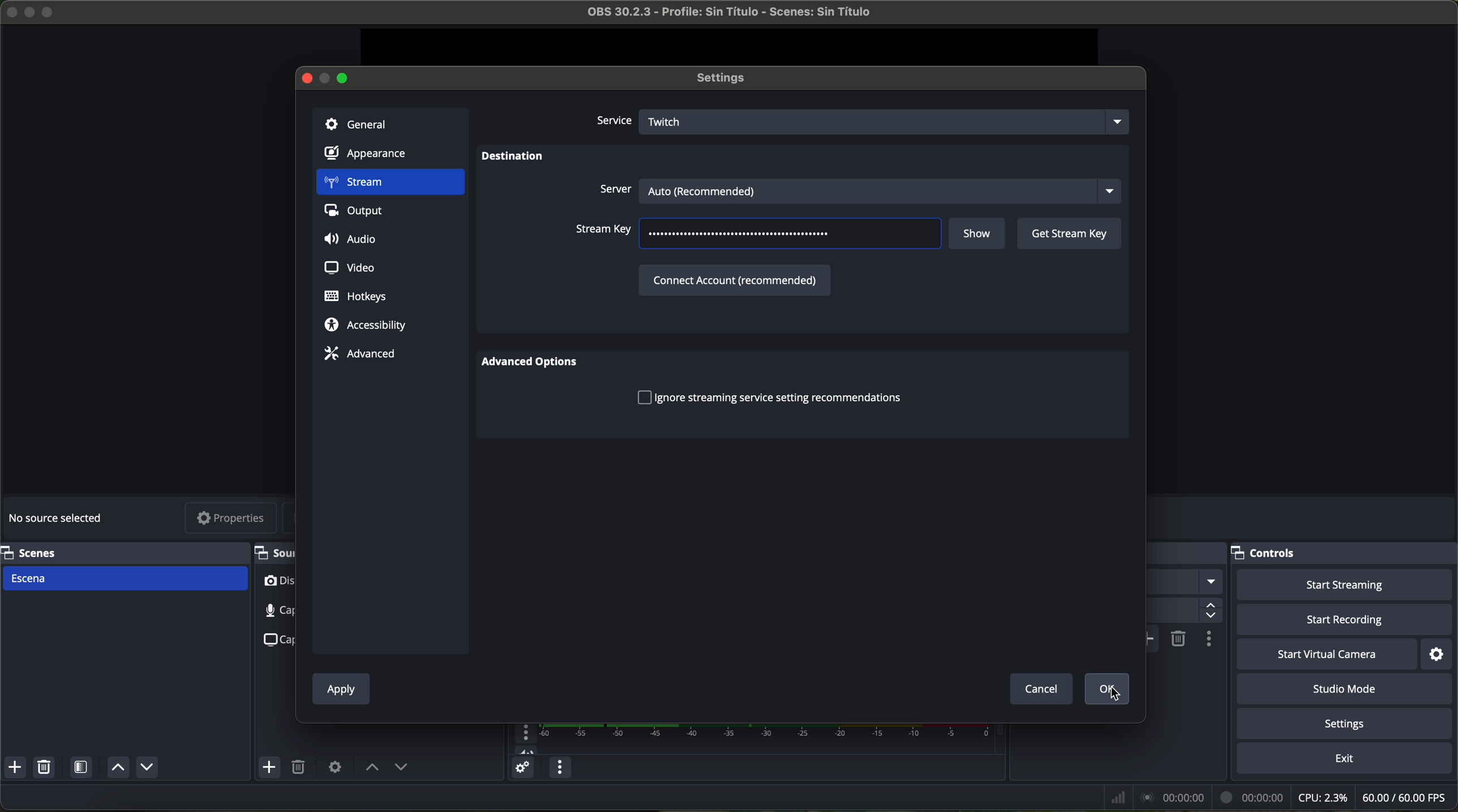 The image size is (1458, 812). What do you see at coordinates (1208, 641) in the screenshot?
I see `transition properties` at bounding box center [1208, 641].